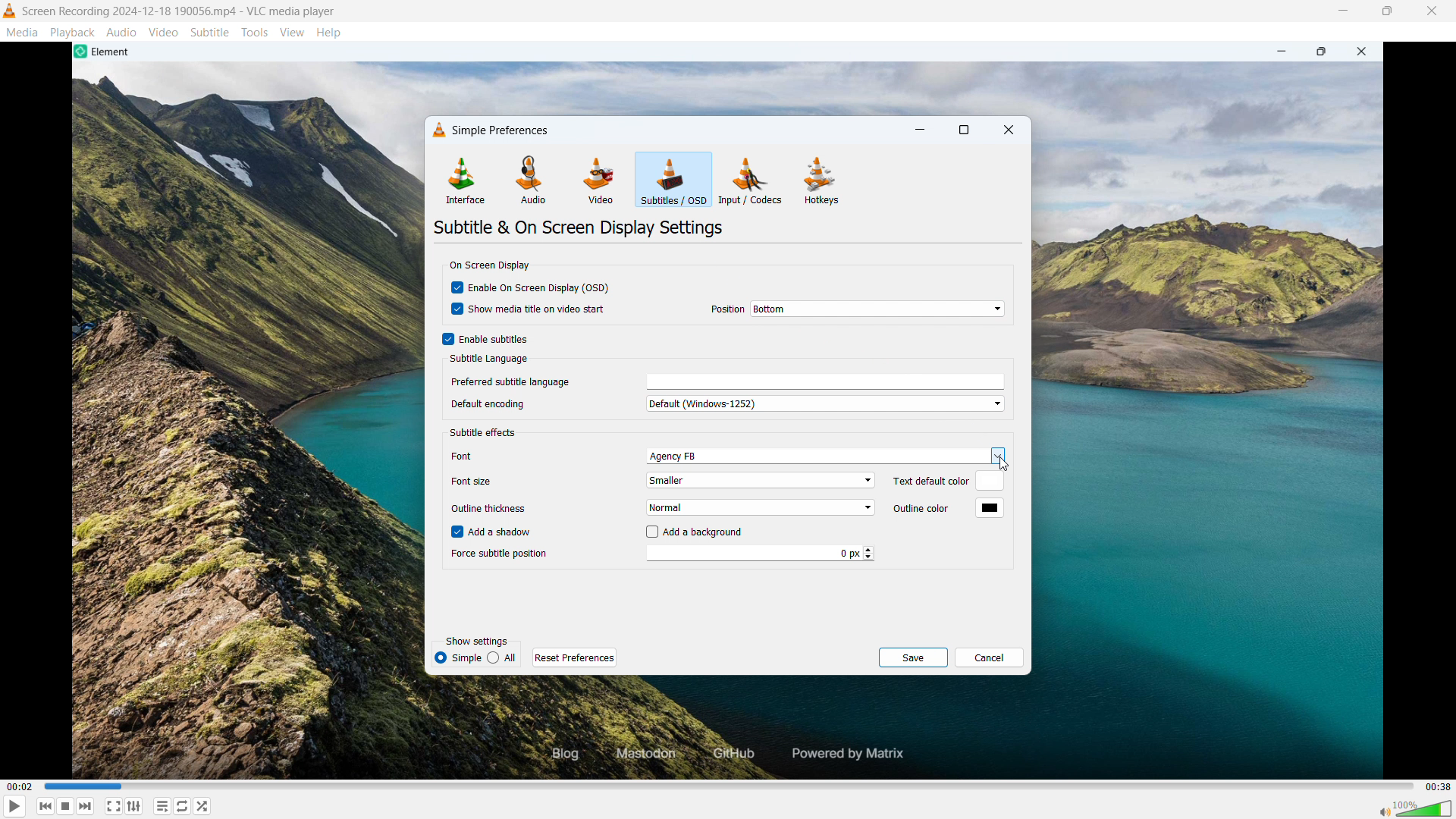 Image resolution: width=1456 pixels, height=819 pixels. I want to click on outline color, so click(915, 508).